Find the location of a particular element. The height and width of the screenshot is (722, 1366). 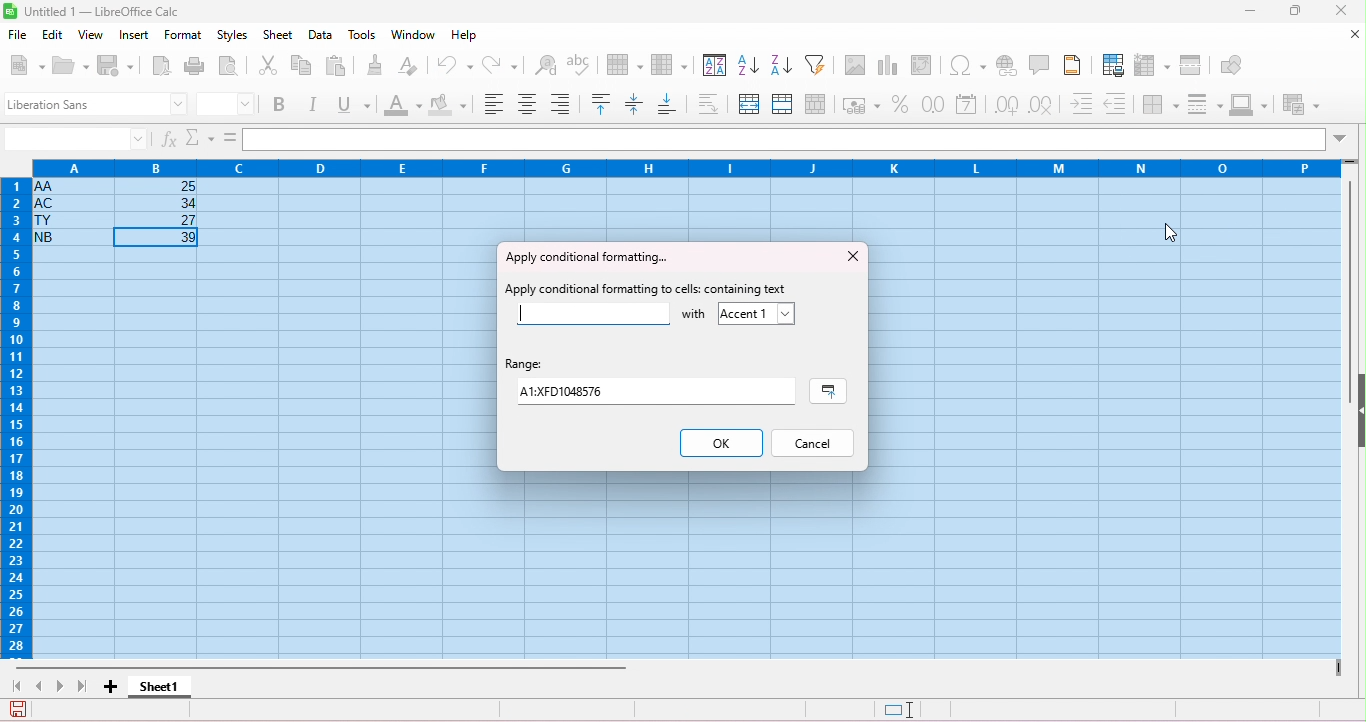

window is located at coordinates (414, 35).